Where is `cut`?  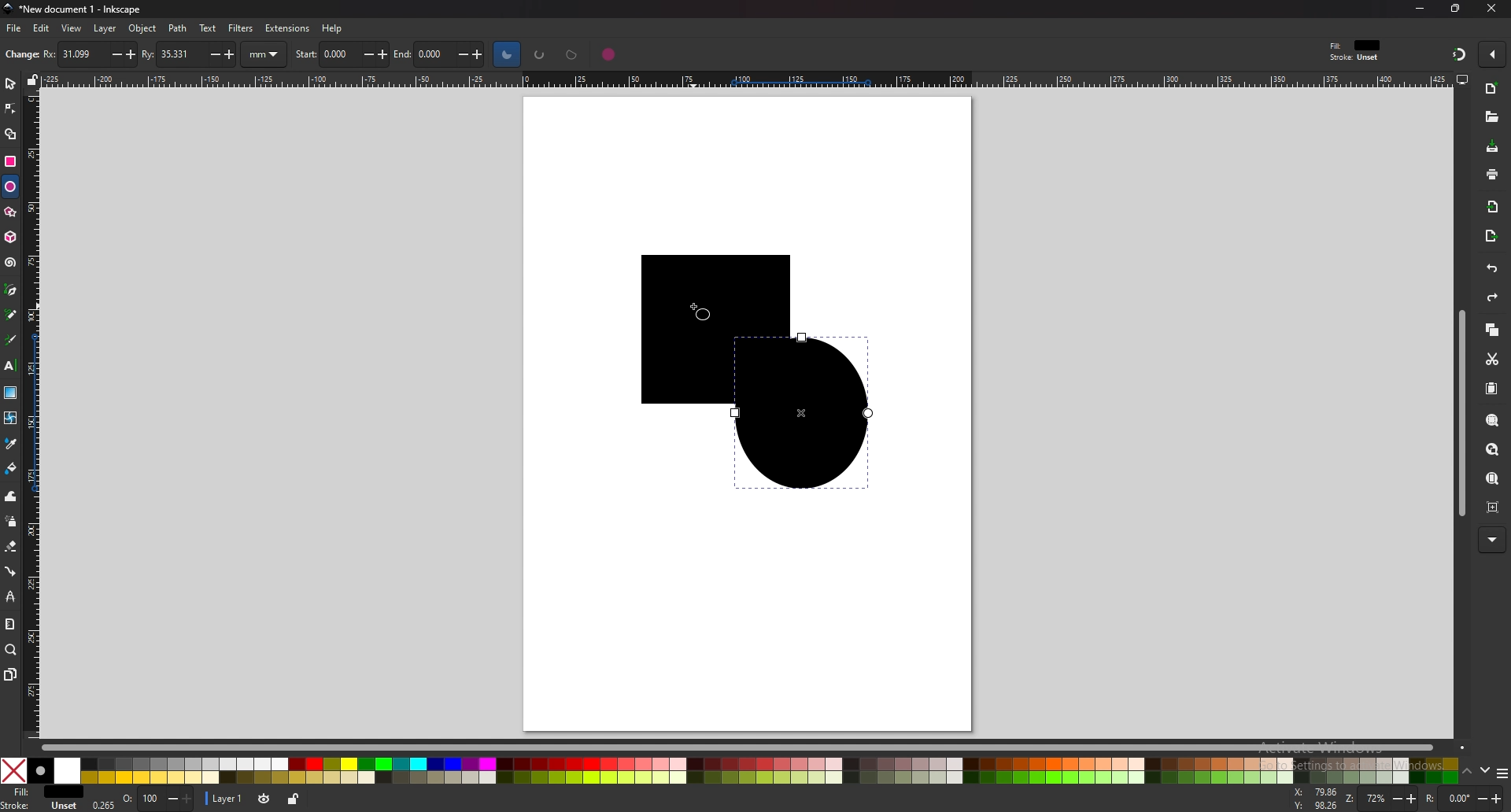
cut is located at coordinates (1491, 357).